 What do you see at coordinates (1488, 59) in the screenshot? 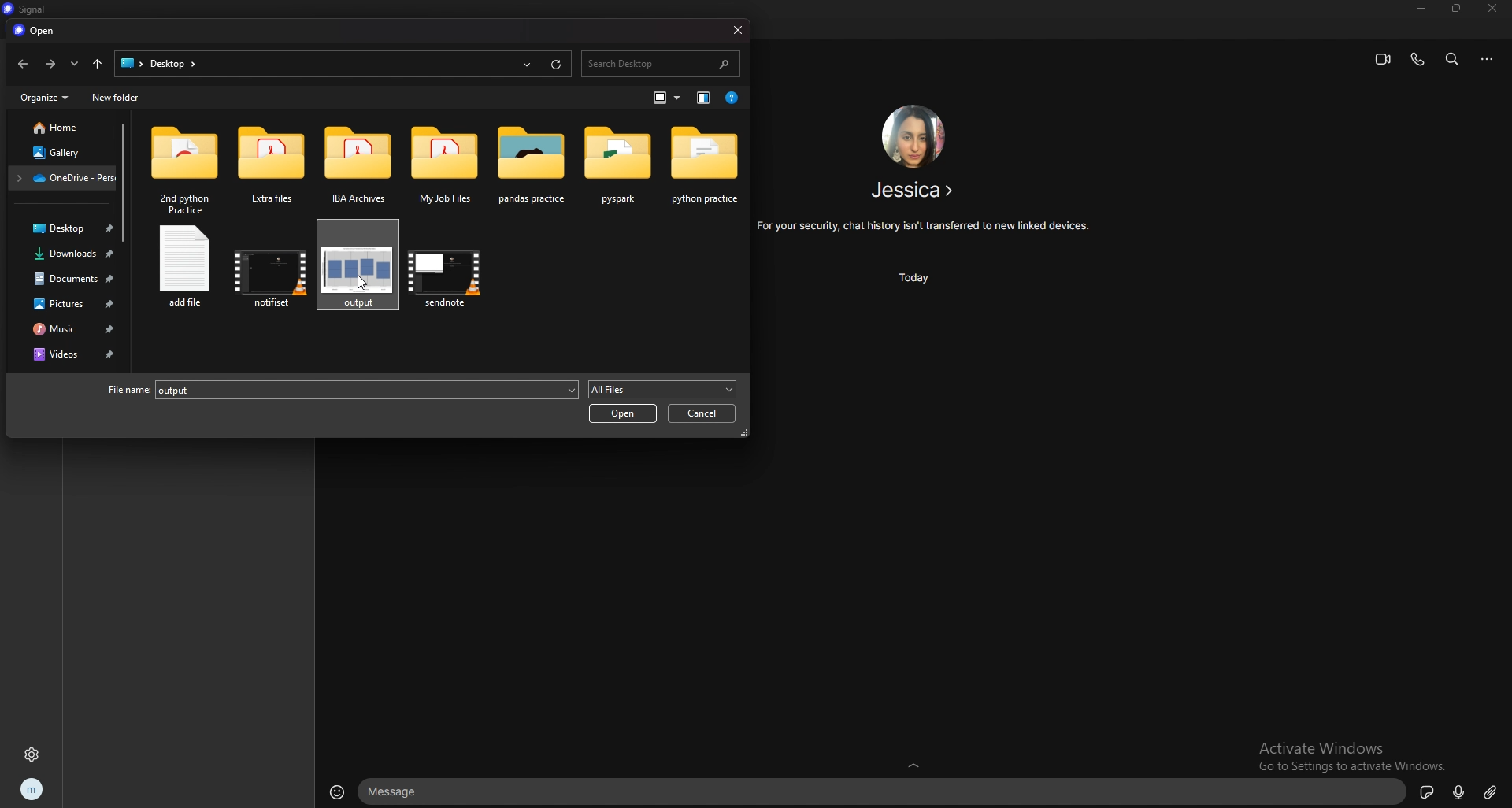
I see `options` at bounding box center [1488, 59].